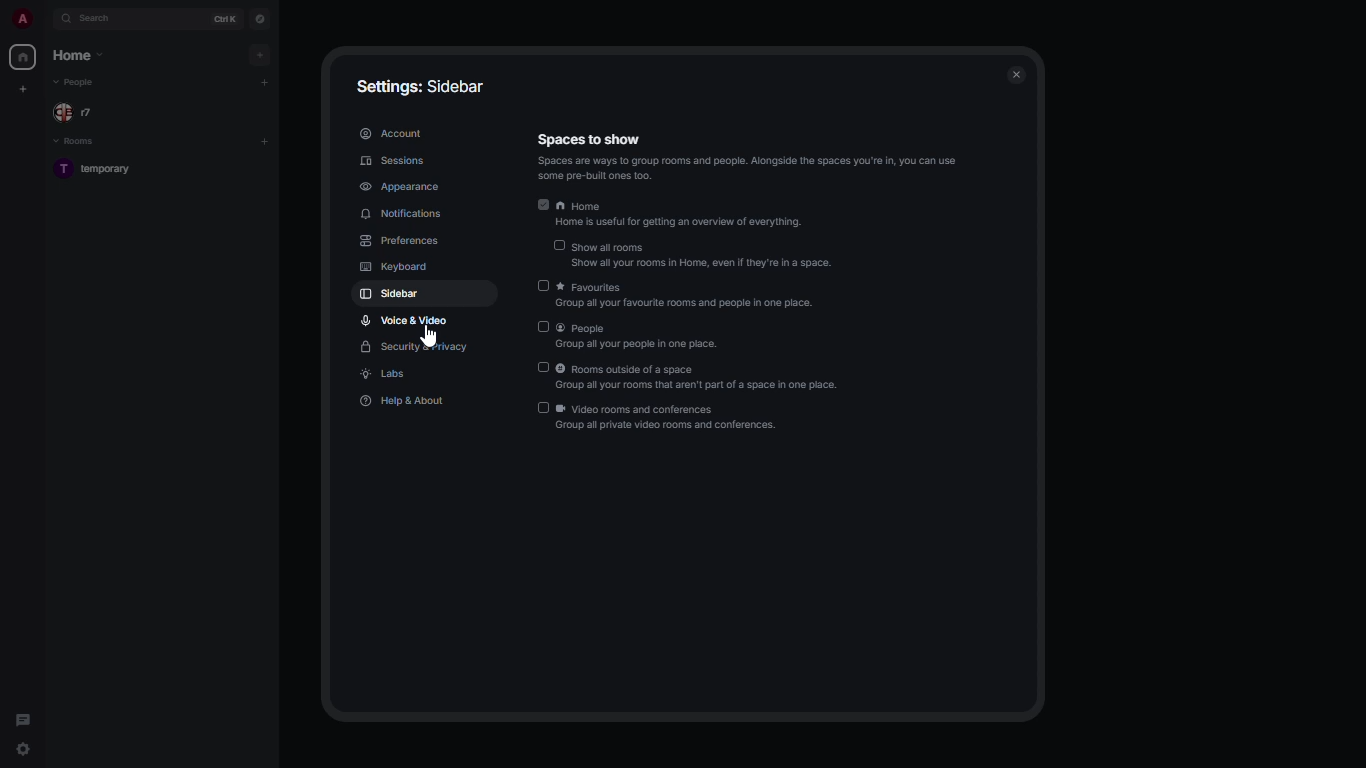 The height and width of the screenshot is (768, 1366). I want to click on notifications, so click(405, 213).